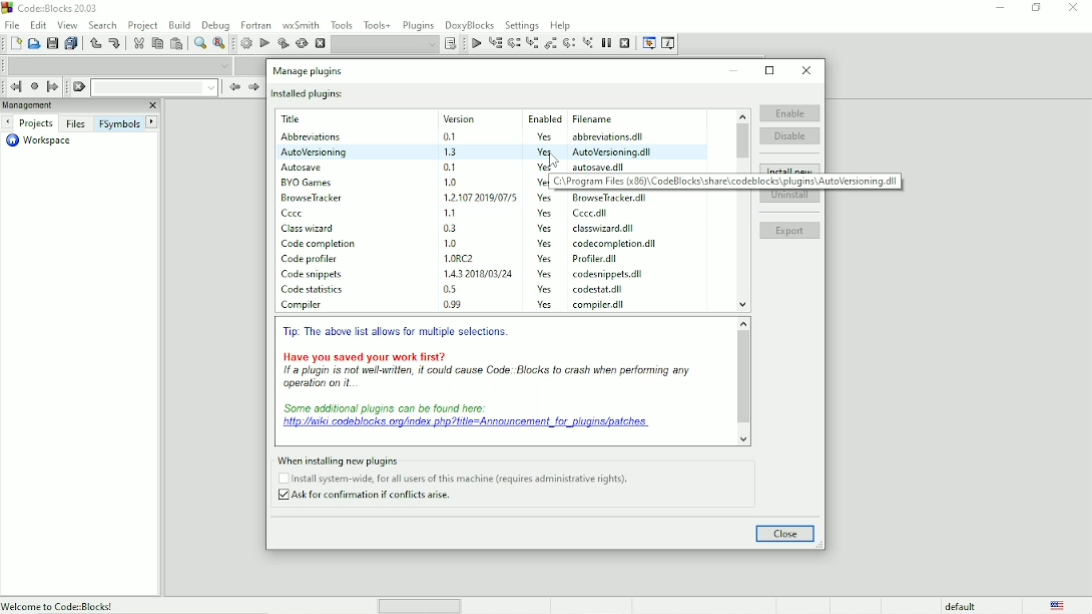 This screenshot has height=614, width=1092. Describe the element at coordinates (613, 152) in the screenshot. I see `AutoVersioning.dll` at that location.